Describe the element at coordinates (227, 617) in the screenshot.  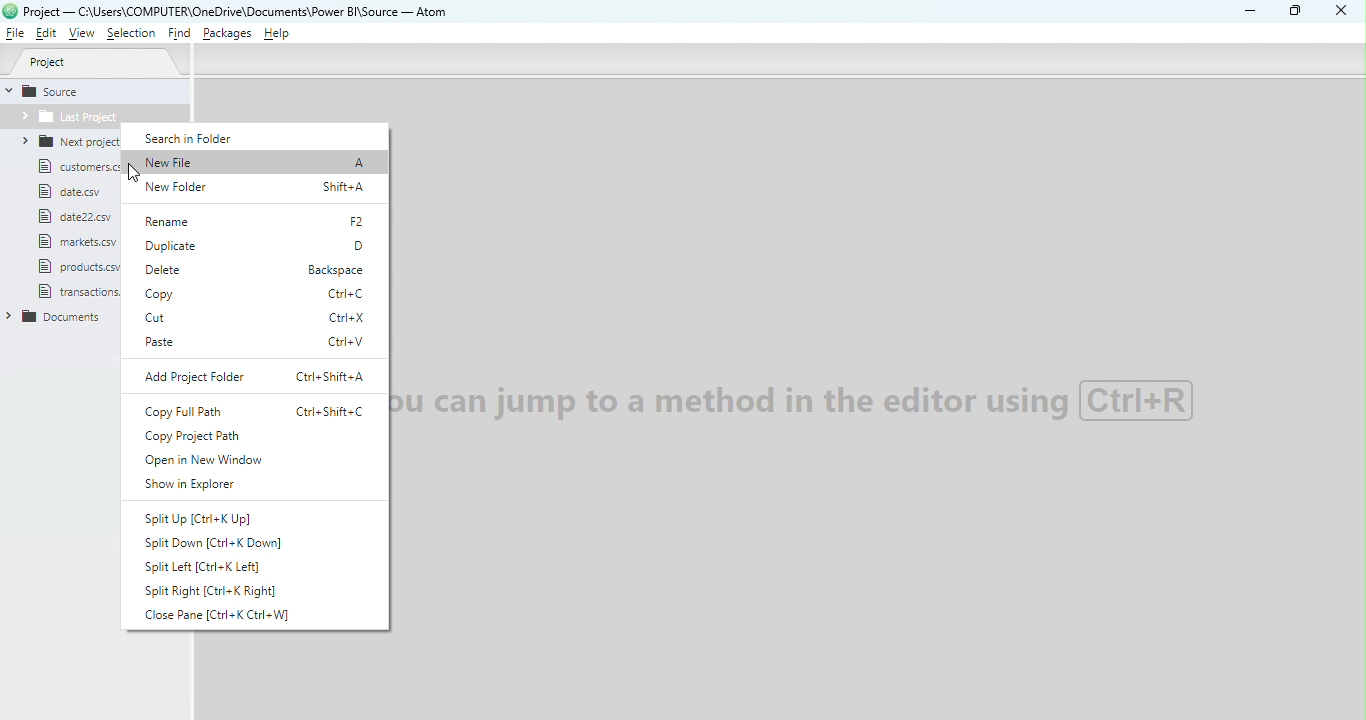
I see `Close pane` at that location.